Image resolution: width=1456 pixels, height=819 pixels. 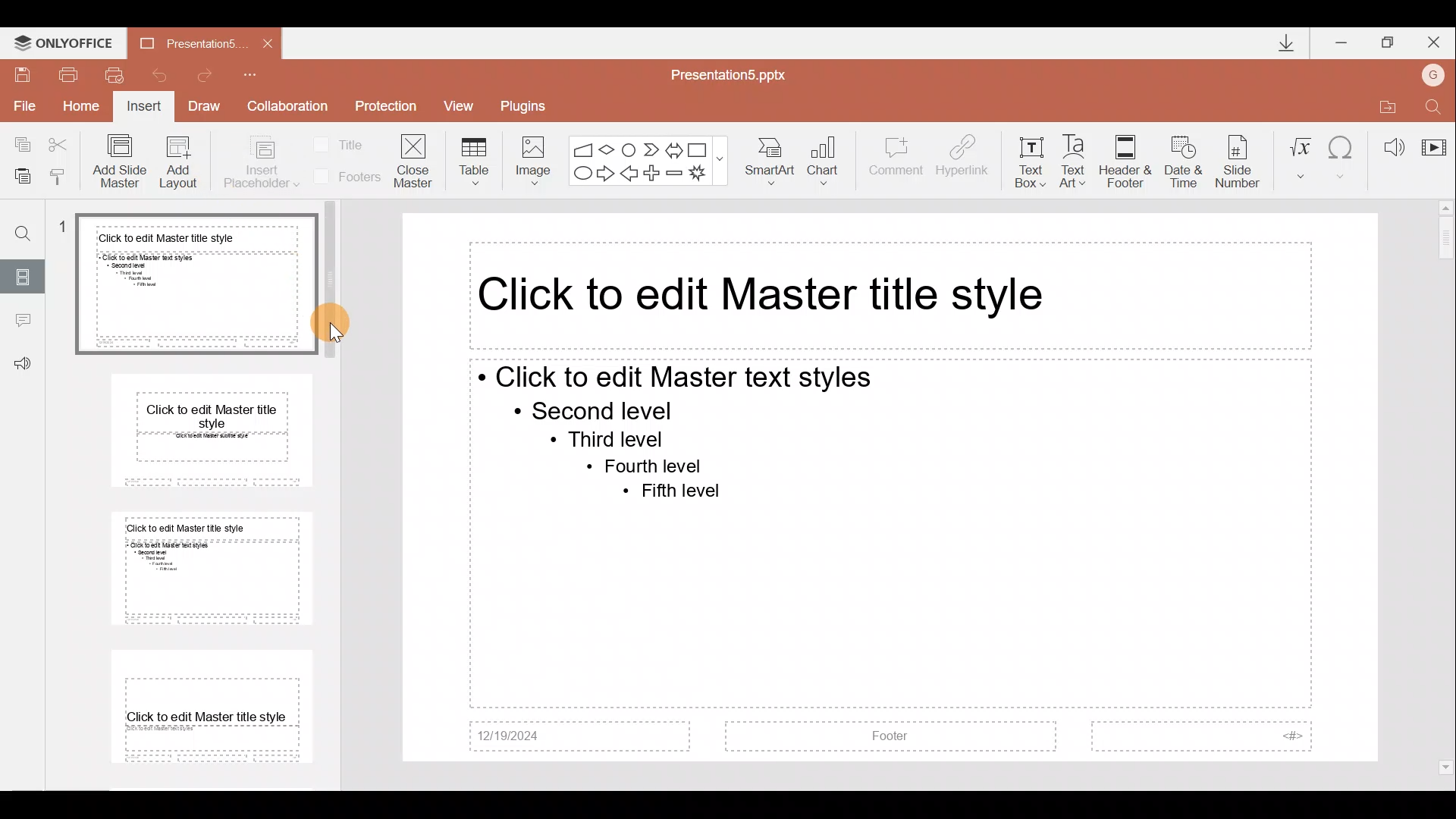 What do you see at coordinates (349, 328) in the screenshot?
I see `Cursor` at bounding box center [349, 328].